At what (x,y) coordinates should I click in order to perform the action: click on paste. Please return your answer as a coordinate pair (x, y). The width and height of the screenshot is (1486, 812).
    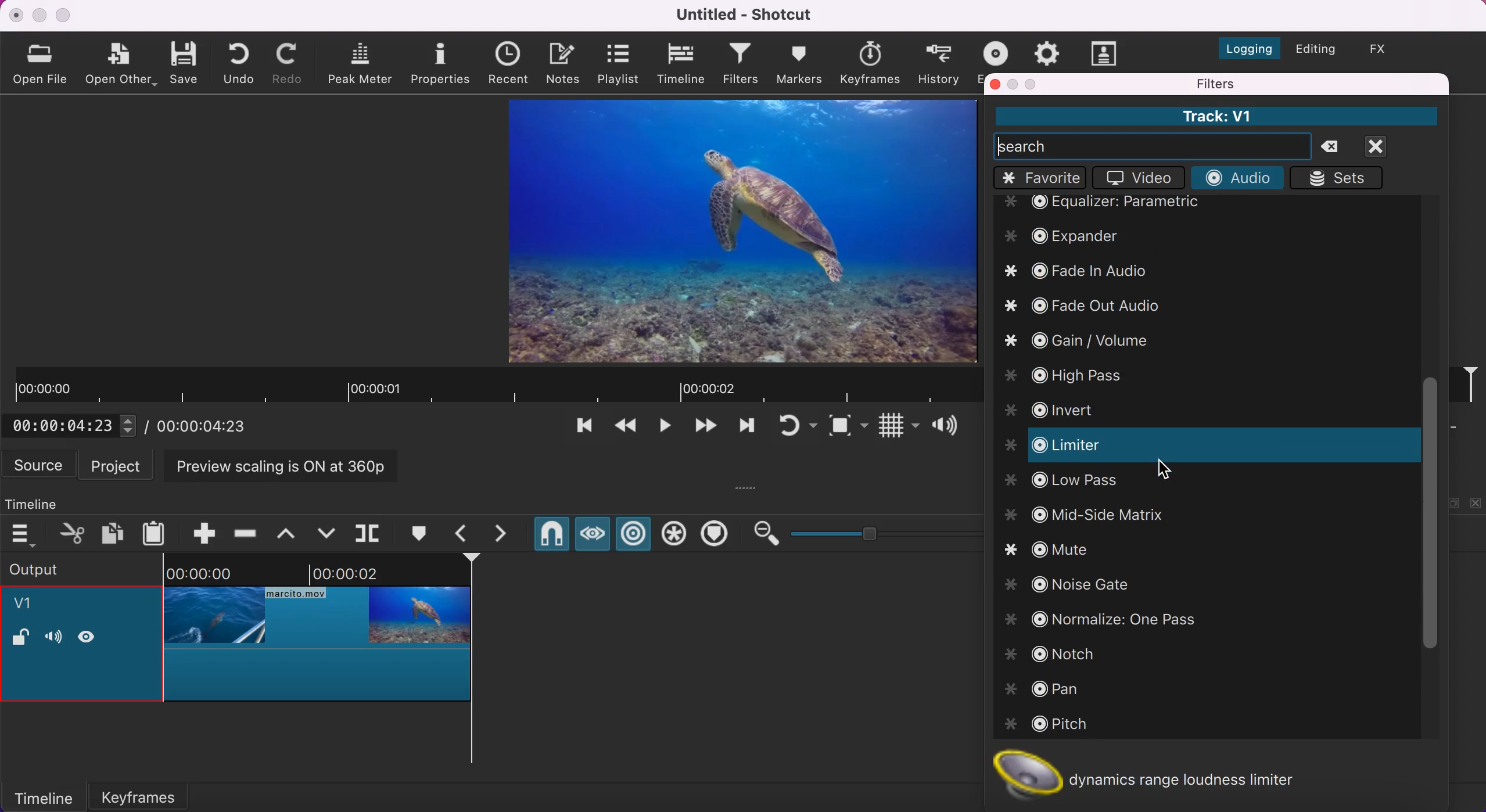
    Looking at the image, I should click on (157, 531).